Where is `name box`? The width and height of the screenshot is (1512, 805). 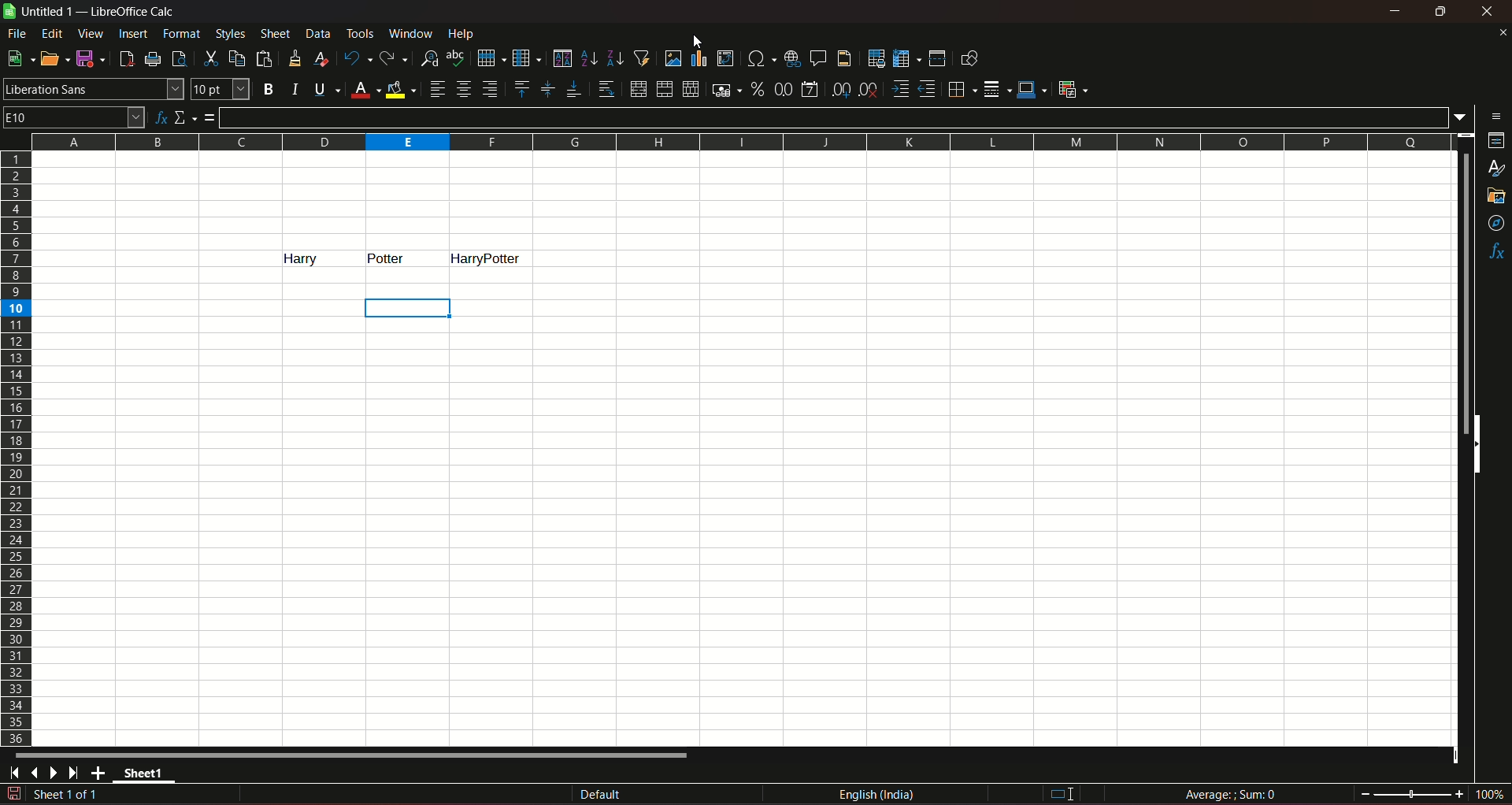
name box is located at coordinates (74, 116).